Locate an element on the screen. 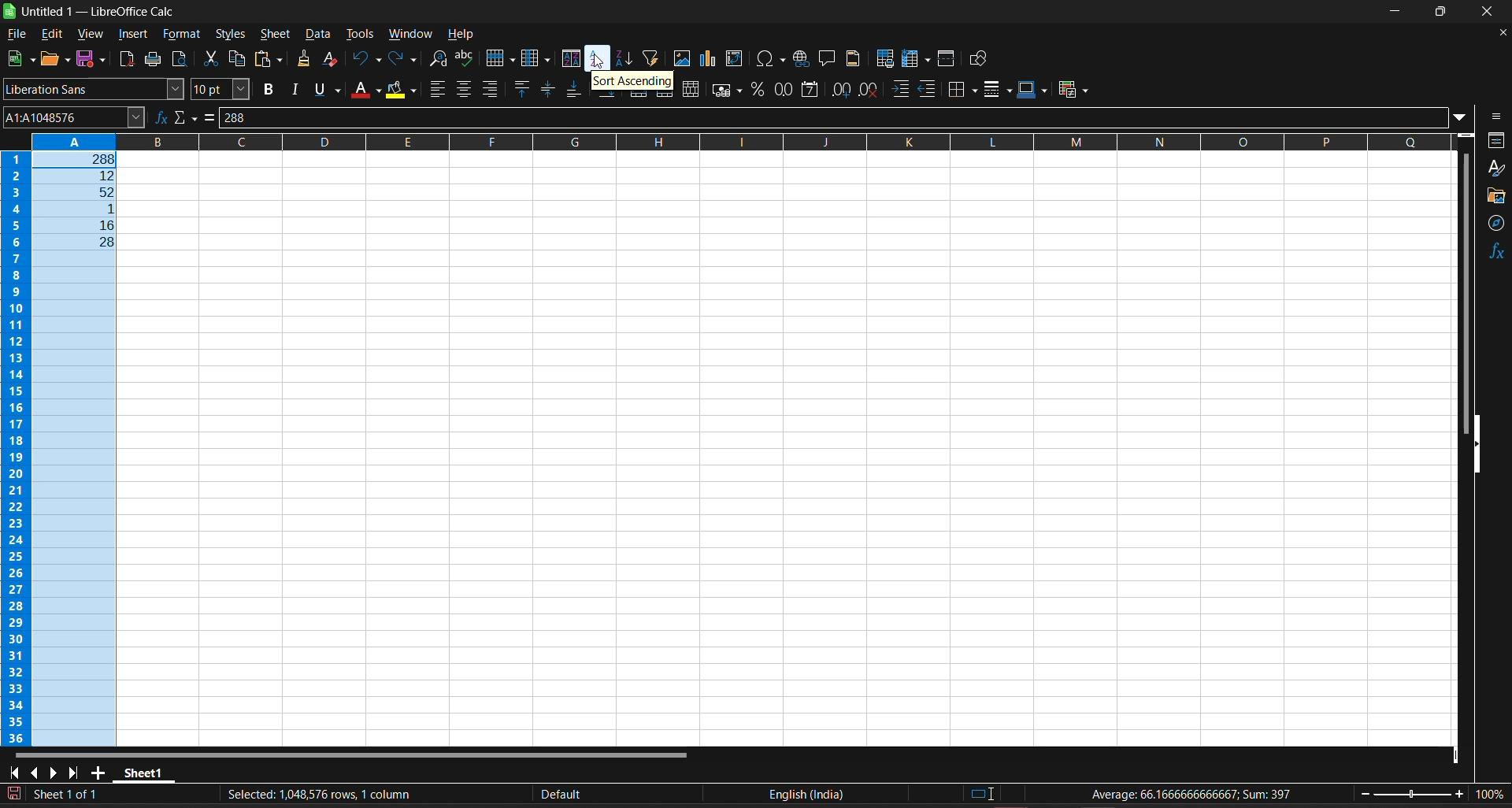  gallery is located at coordinates (1495, 195).